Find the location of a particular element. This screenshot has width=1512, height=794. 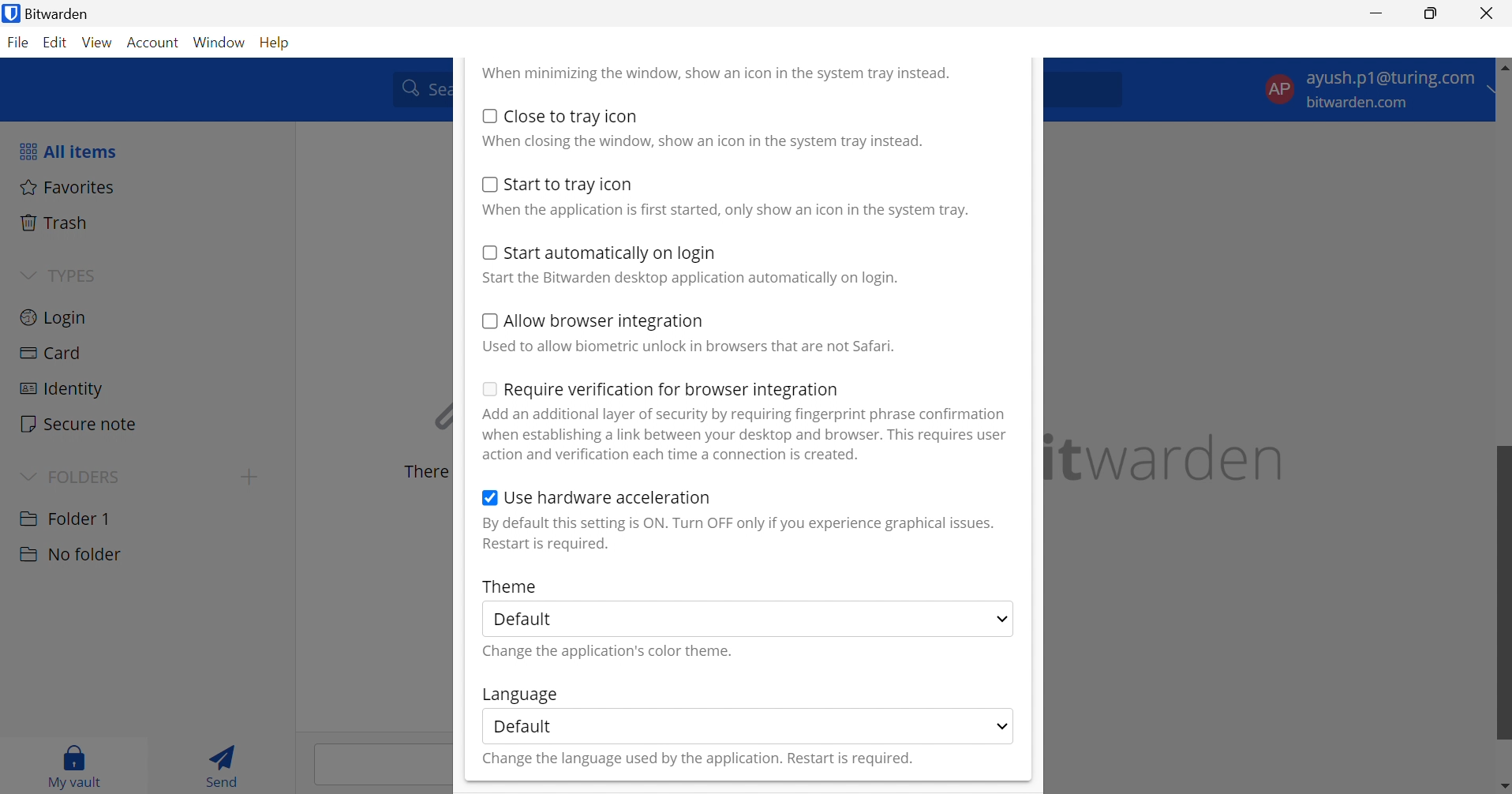

FOLDERS is located at coordinates (88, 475).